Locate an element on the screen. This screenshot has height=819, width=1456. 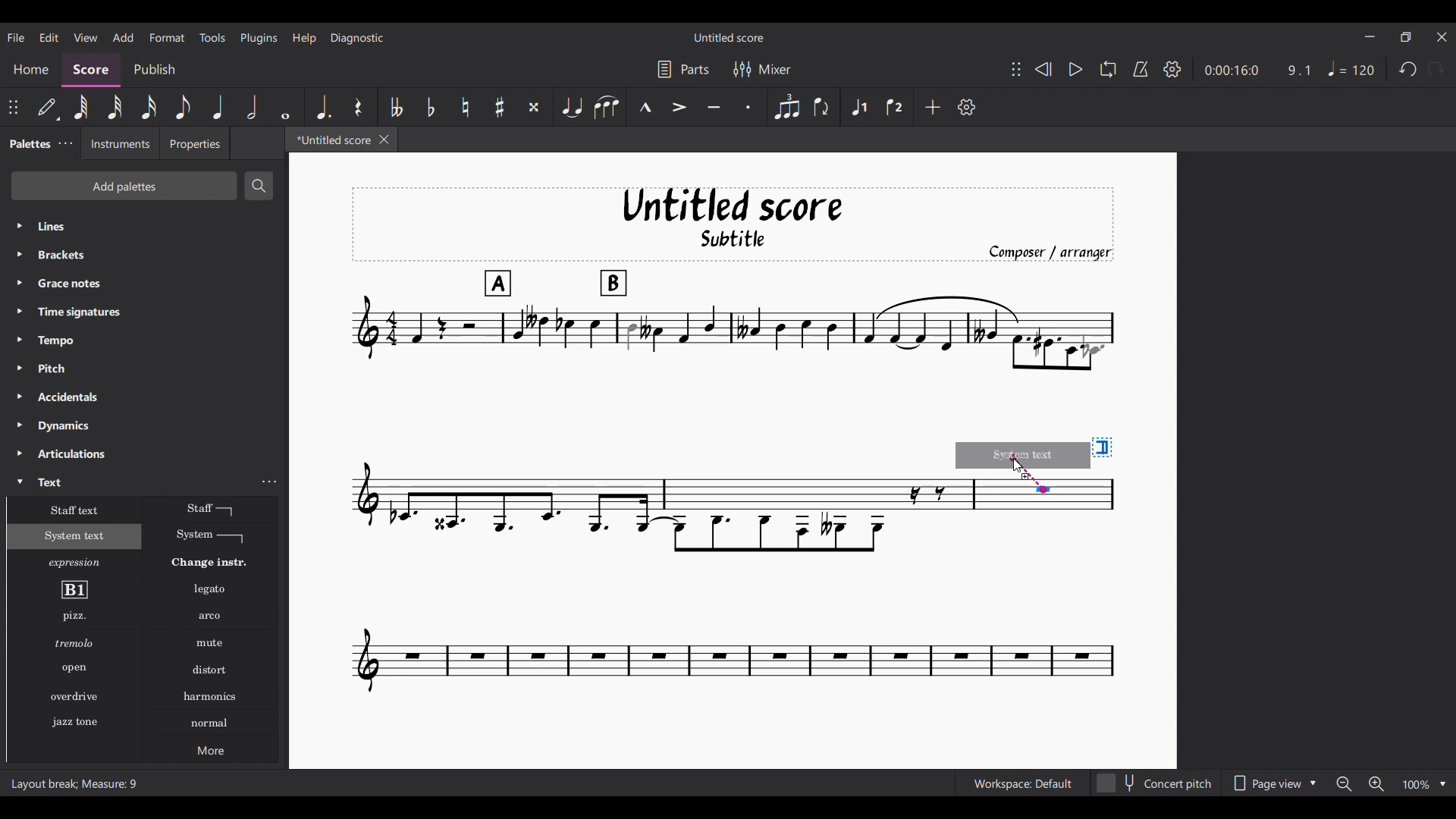
Text, highlighted by cursor is located at coordinates (130, 481).